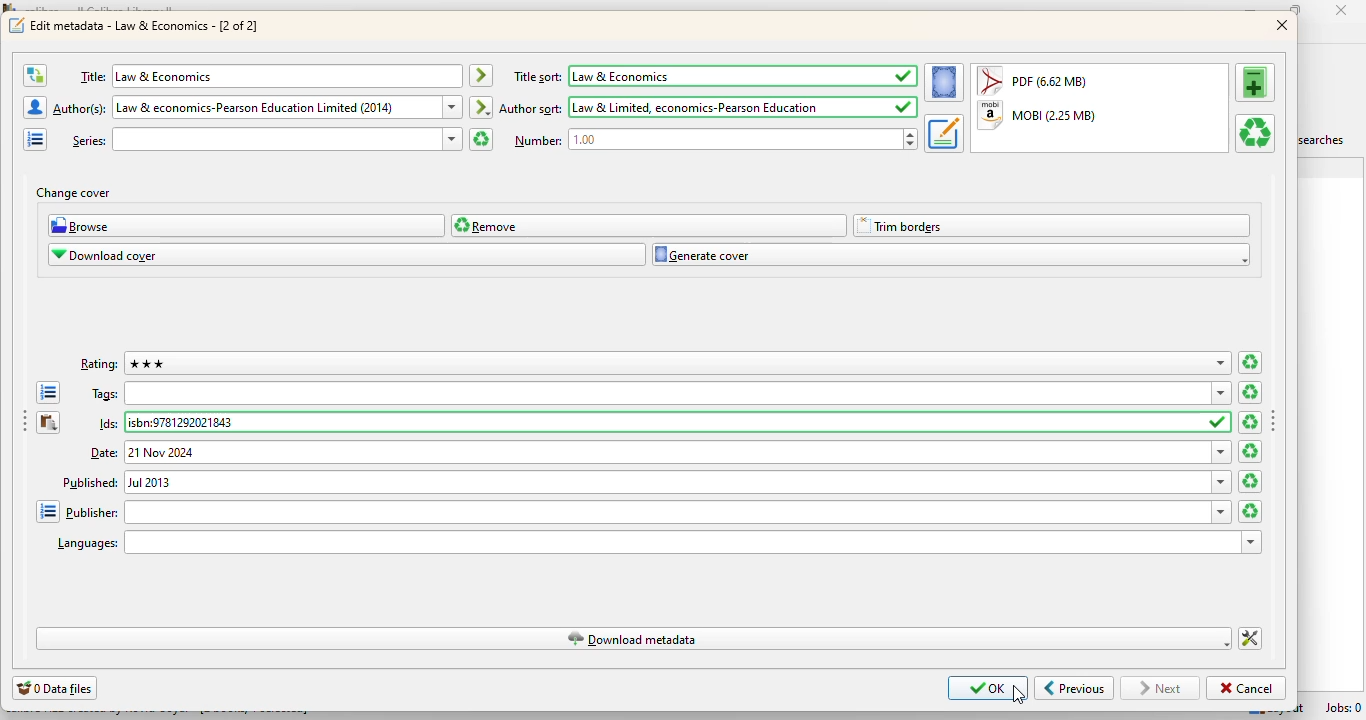 Image resolution: width=1366 pixels, height=720 pixels. What do you see at coordinates (481, 106) in the screenshot?
I see `immediately create the author sort entry based on the current author entry` at bounding box center [481, 106].